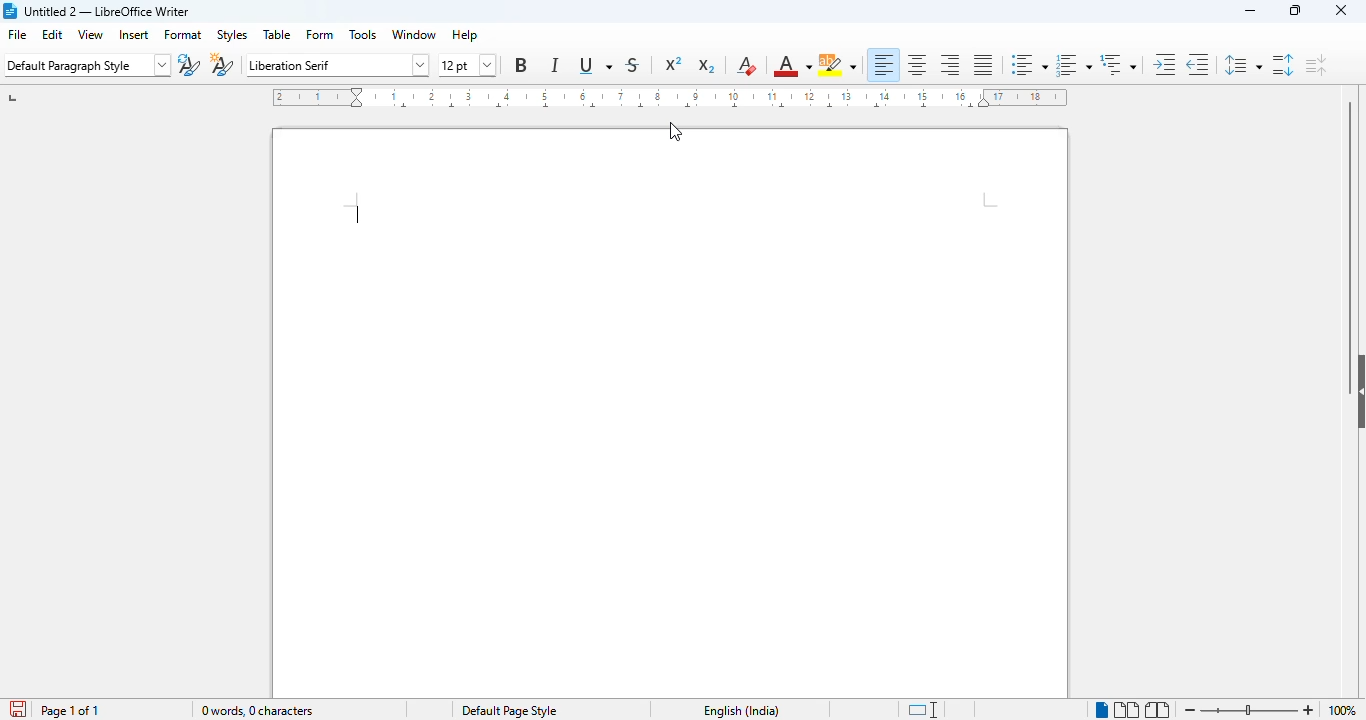 This screenshot has height=720, width=1366. Describe the element at coordinates (87, 66) in the screenshot. I see `set paragraph style` at that location.